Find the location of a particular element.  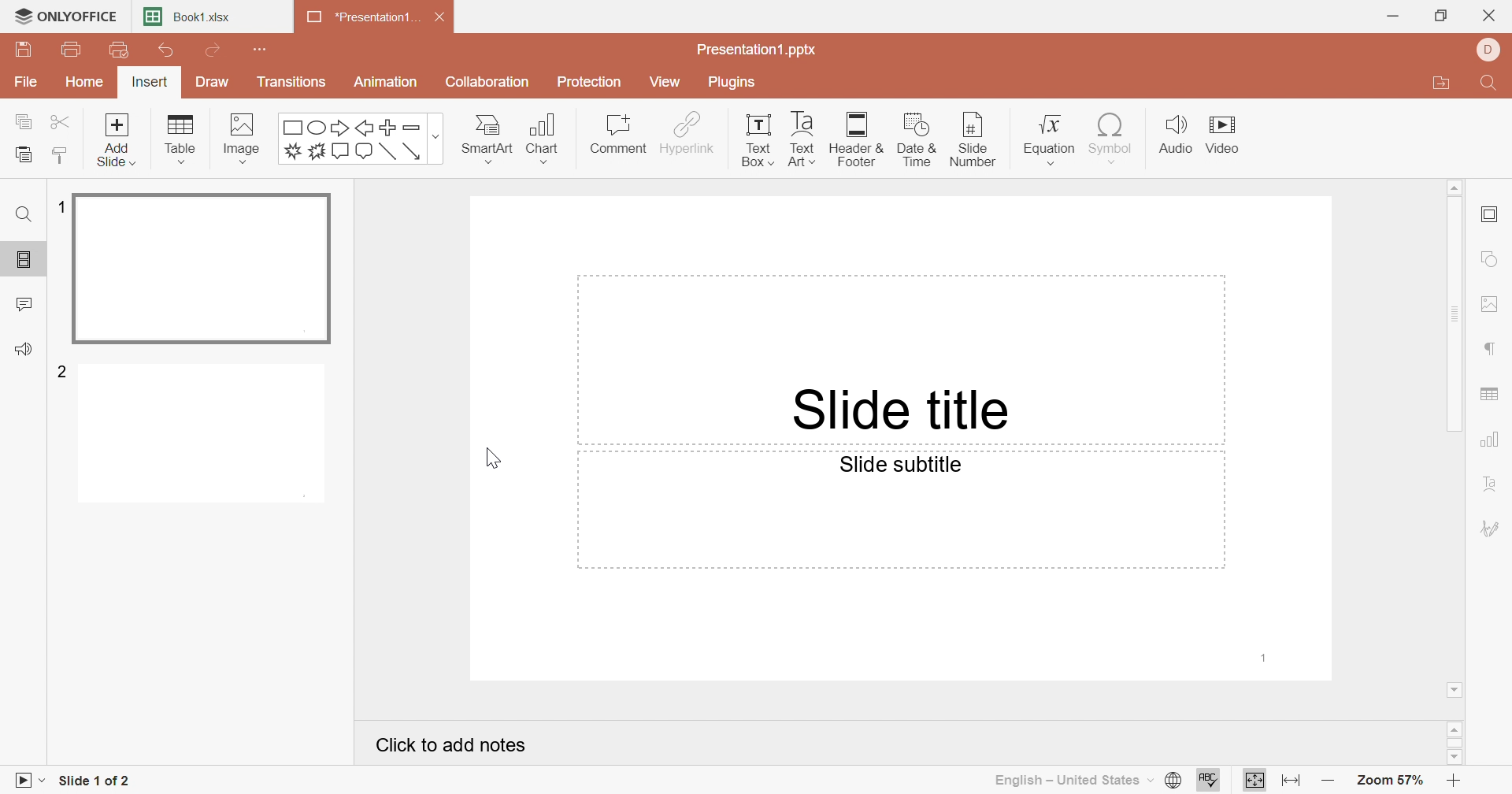

Find is located at coordinates (22, 214).